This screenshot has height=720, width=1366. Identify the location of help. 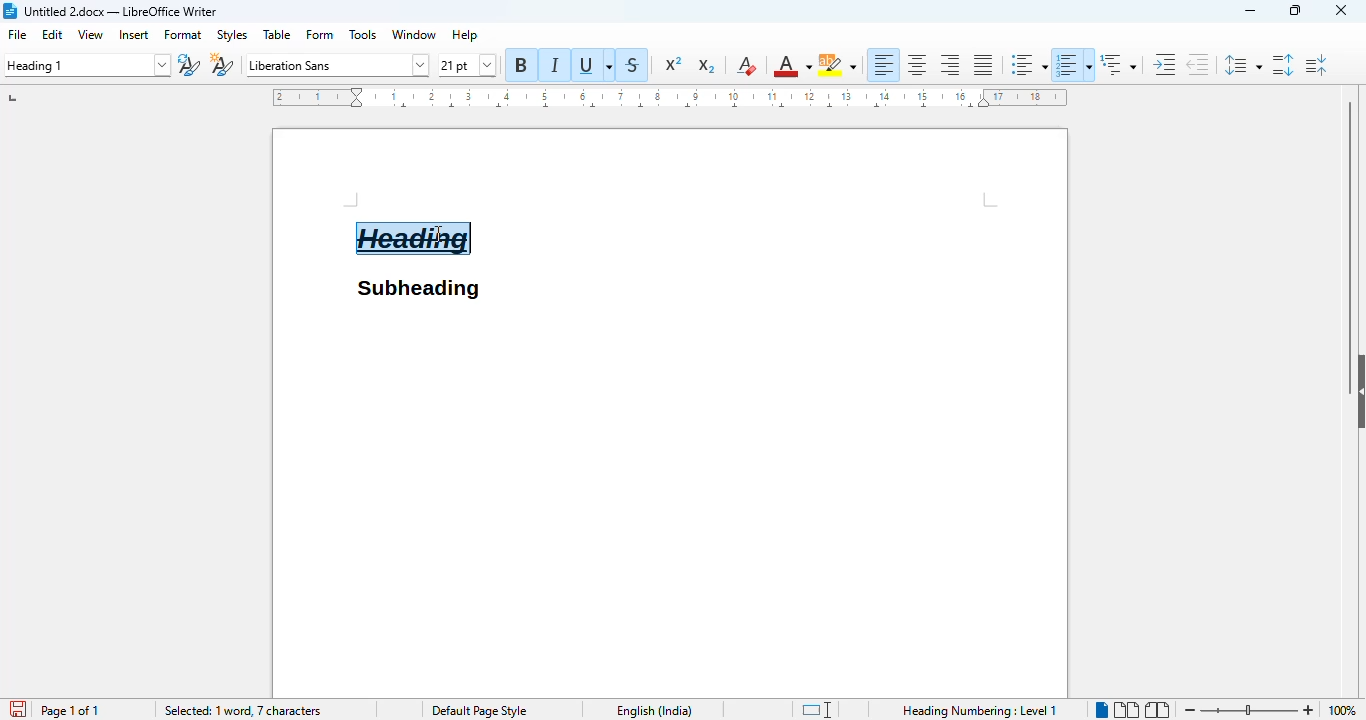
(464, 34).